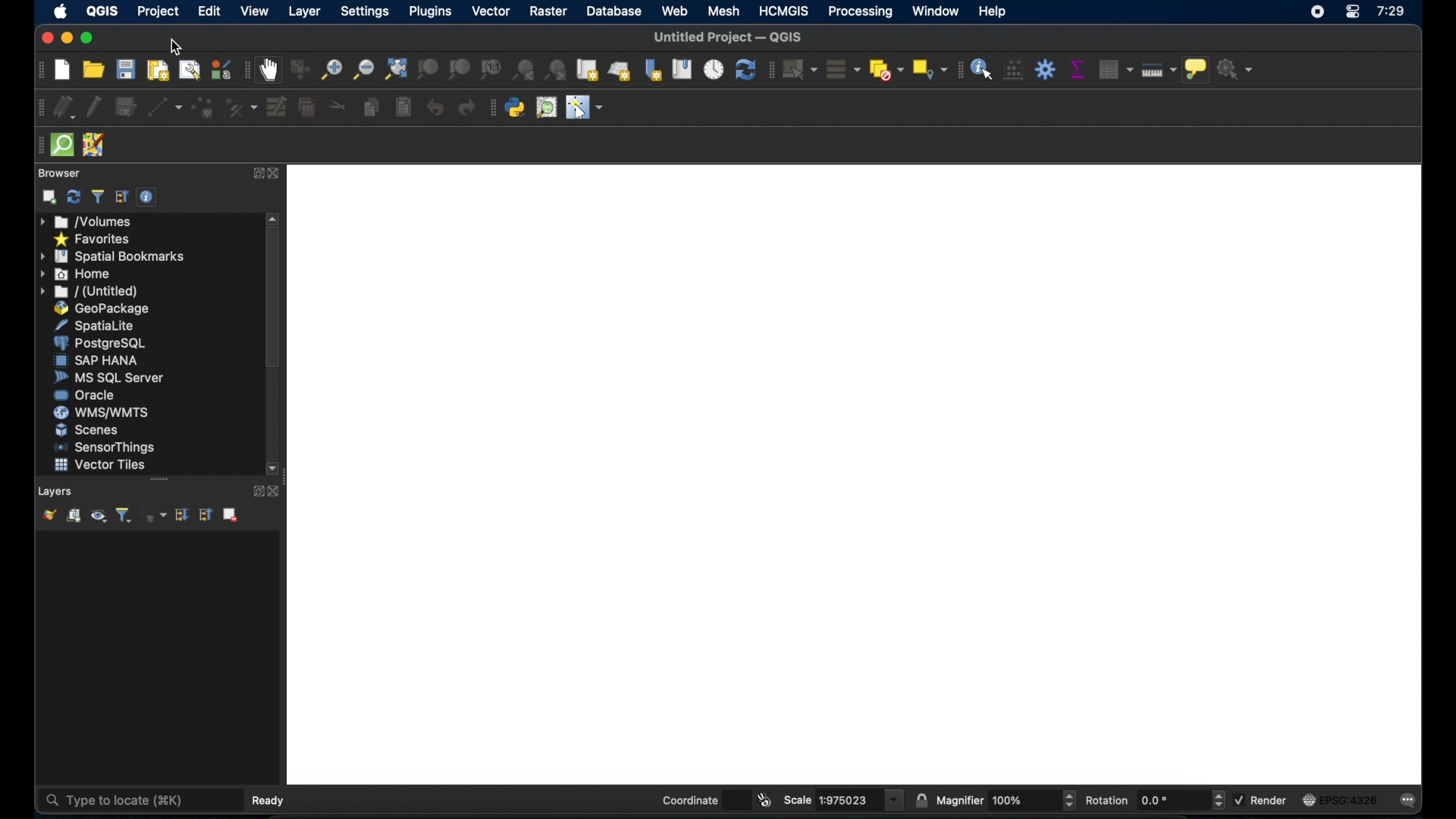 The width and height of the screenshot is (1456, 819). I want to click on filterlegend, so click(122, 515).